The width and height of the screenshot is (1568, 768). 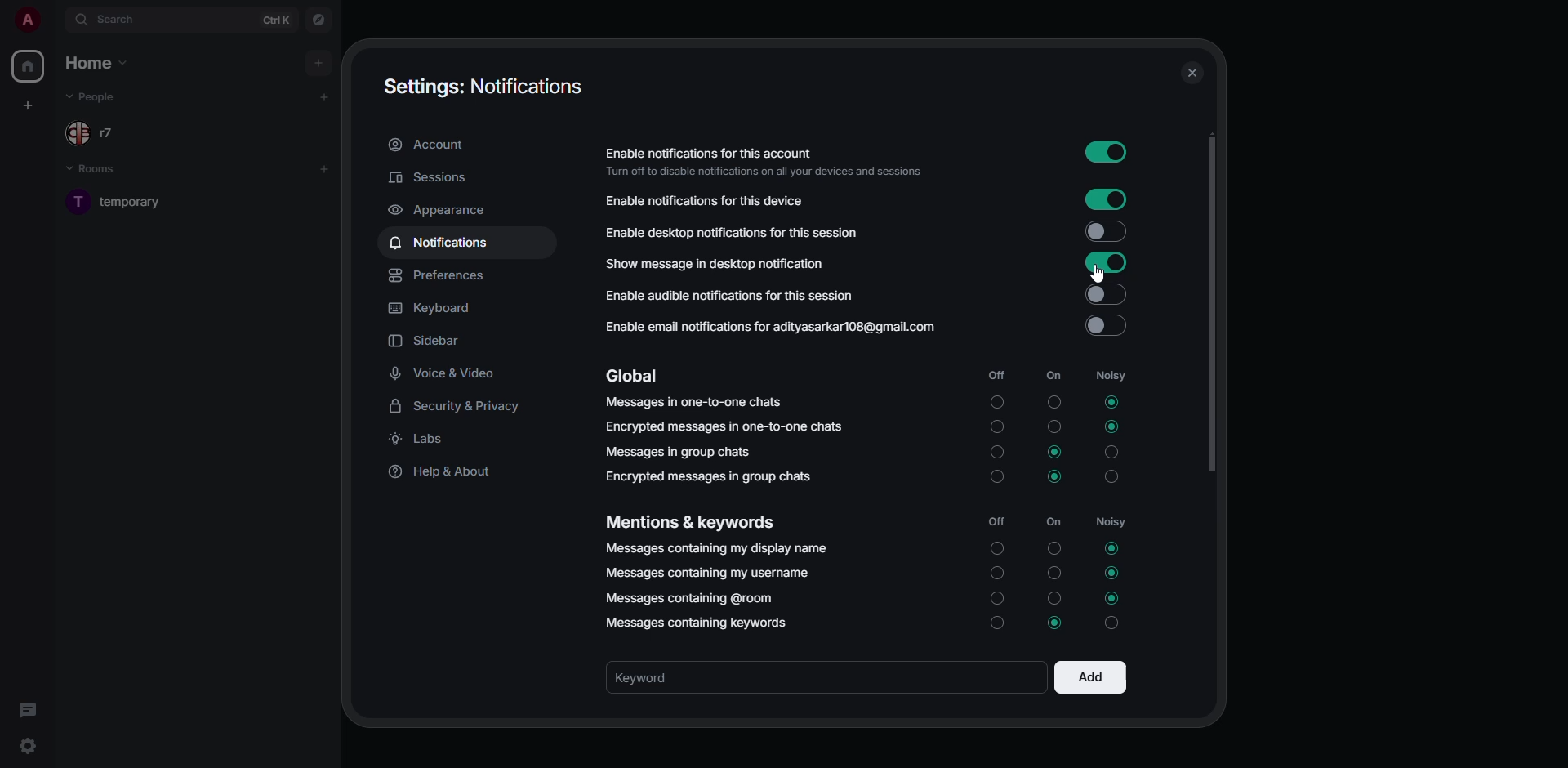 I want to click on account, so click(x=434, y=144).